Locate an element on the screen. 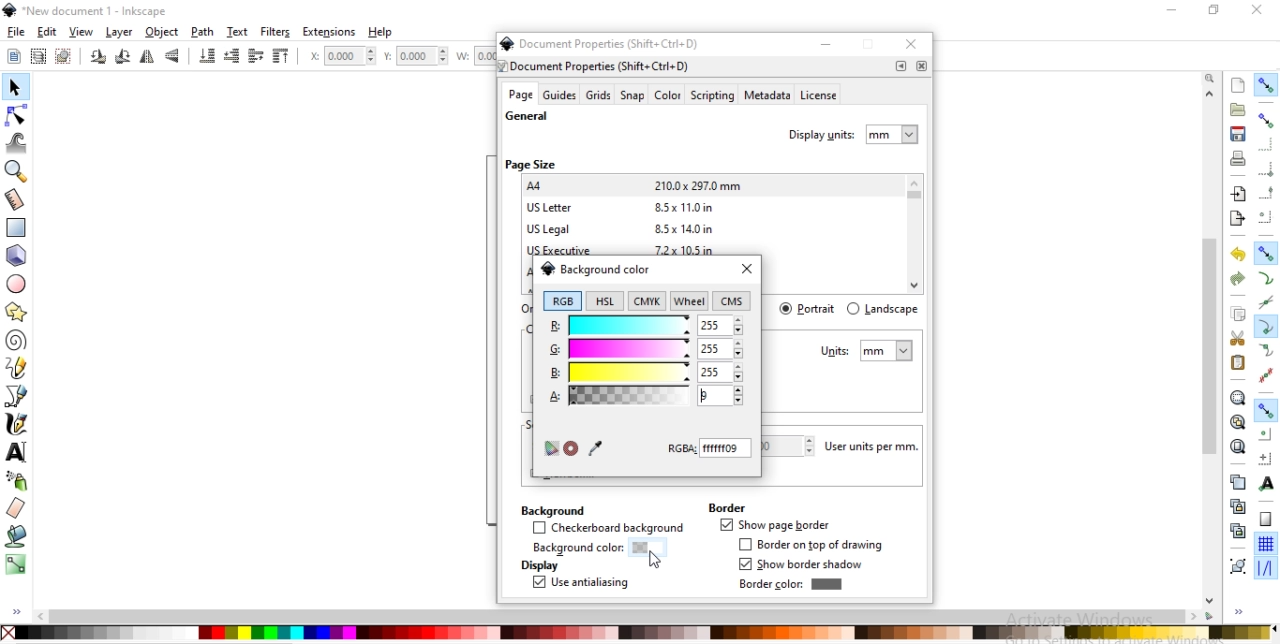  close is located at coordinates (746, 270).